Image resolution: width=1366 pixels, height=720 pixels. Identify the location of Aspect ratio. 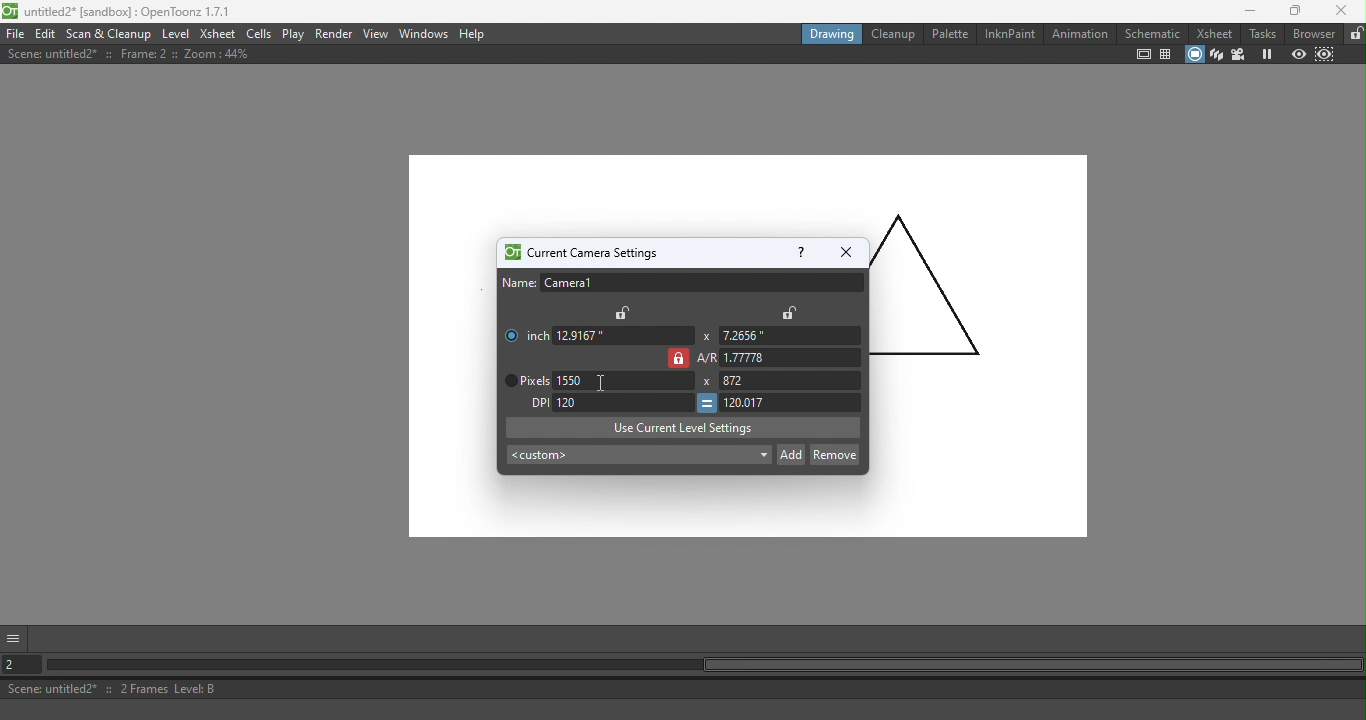
(780, 358).